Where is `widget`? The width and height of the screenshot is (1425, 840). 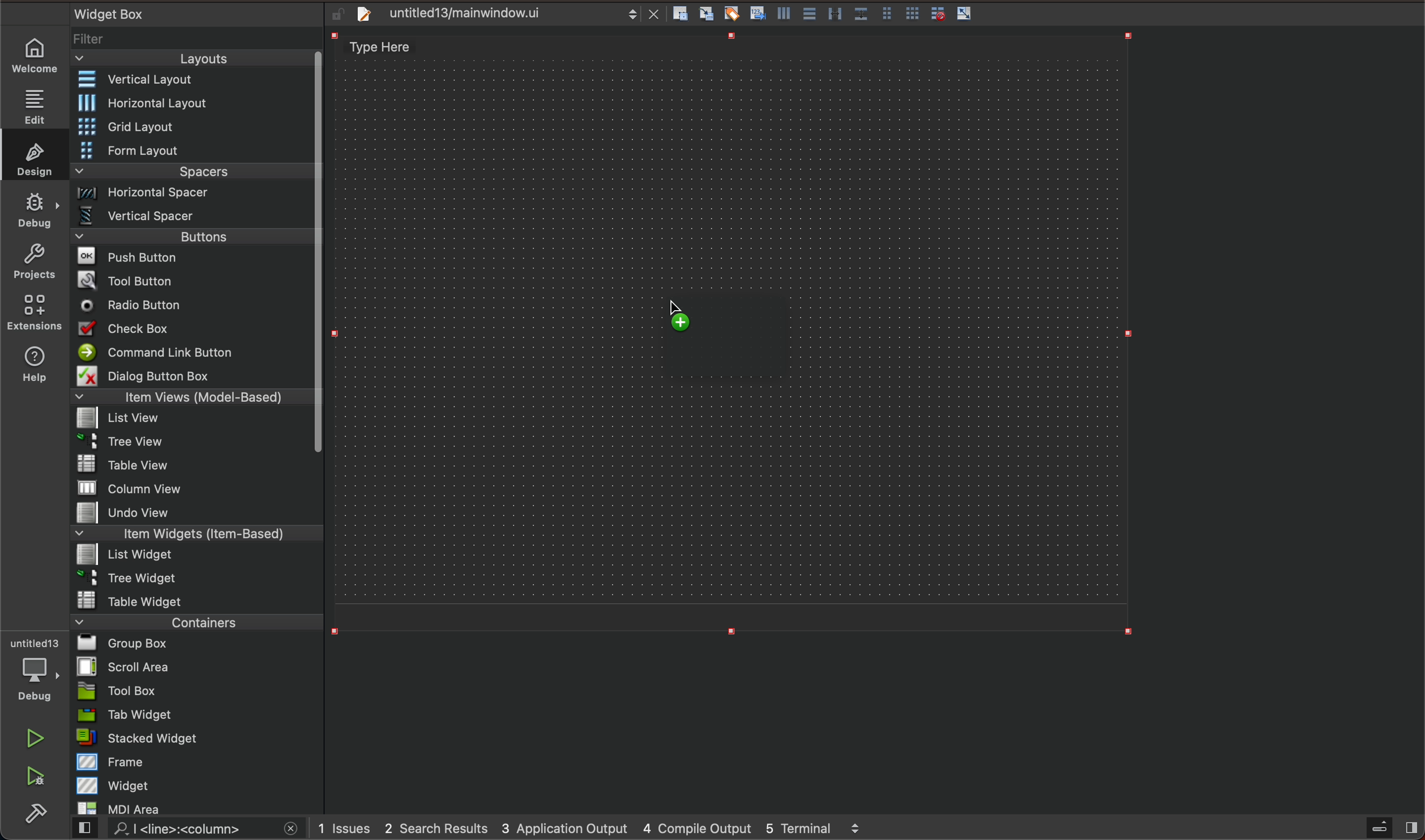
widget is located at coordinates (198, 785).